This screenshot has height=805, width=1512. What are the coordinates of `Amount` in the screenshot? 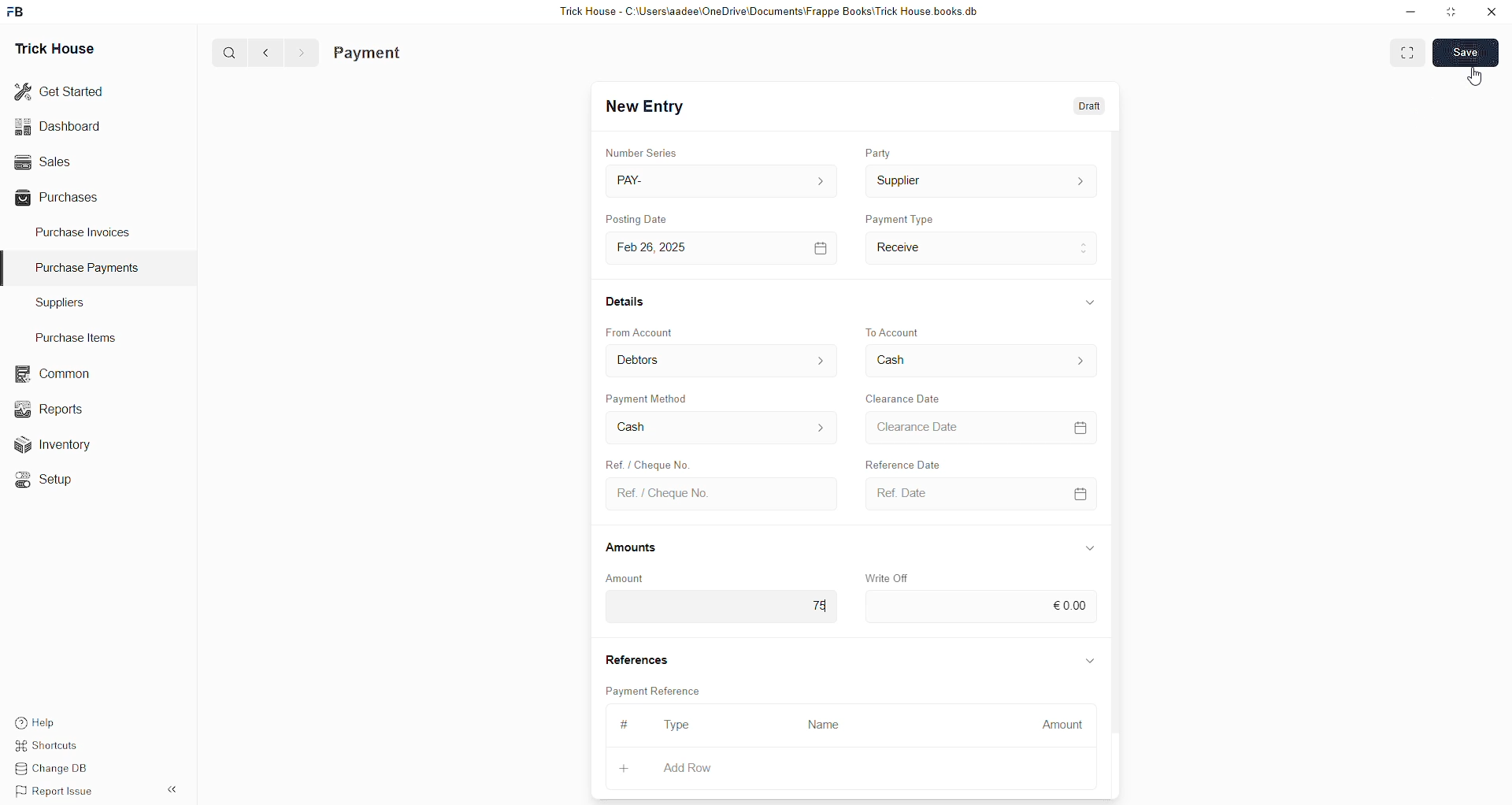 It's located at (634, 577).